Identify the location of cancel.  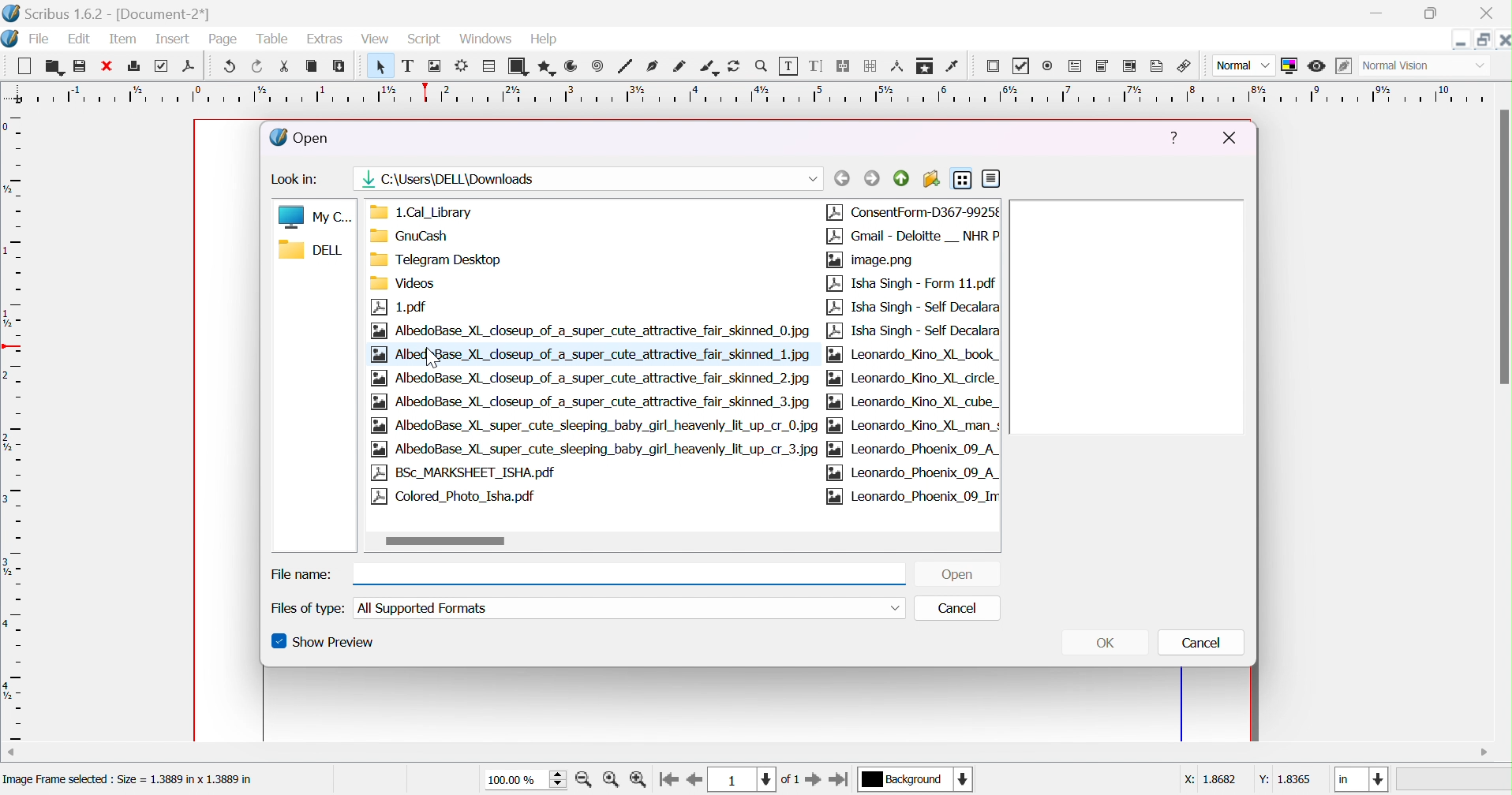
(956, 607).